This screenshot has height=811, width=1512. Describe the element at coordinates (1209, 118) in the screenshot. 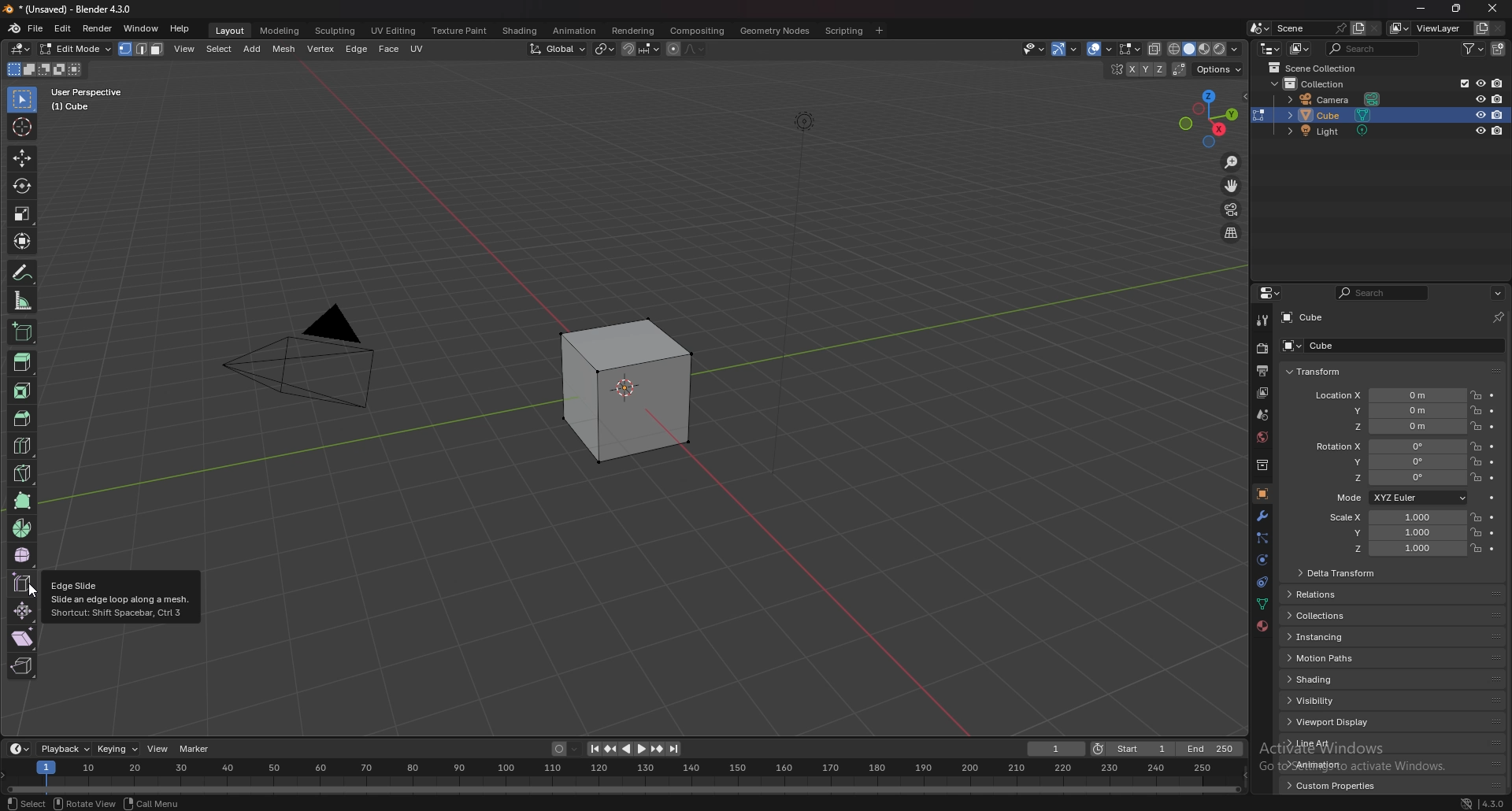

I see `use a preset viewpoint` at that location.